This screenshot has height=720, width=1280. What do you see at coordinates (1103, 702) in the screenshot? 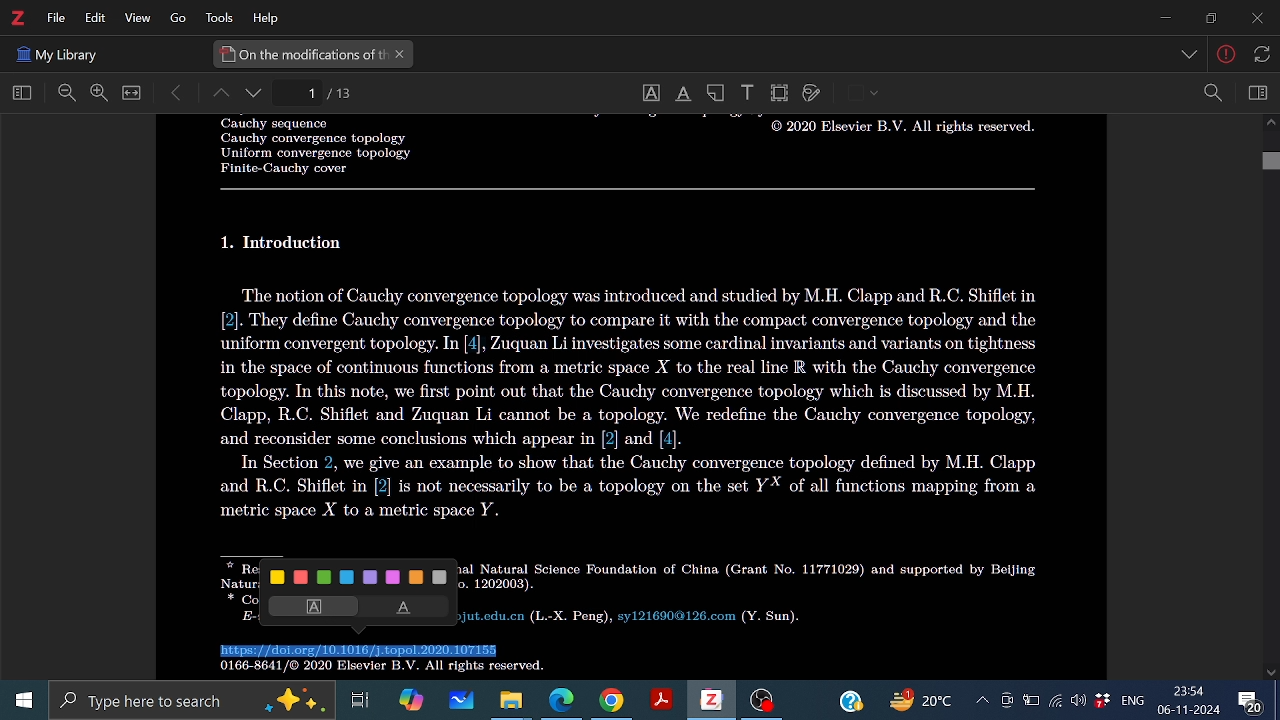
I see `dropbox` at bounding box center [1103, 702].